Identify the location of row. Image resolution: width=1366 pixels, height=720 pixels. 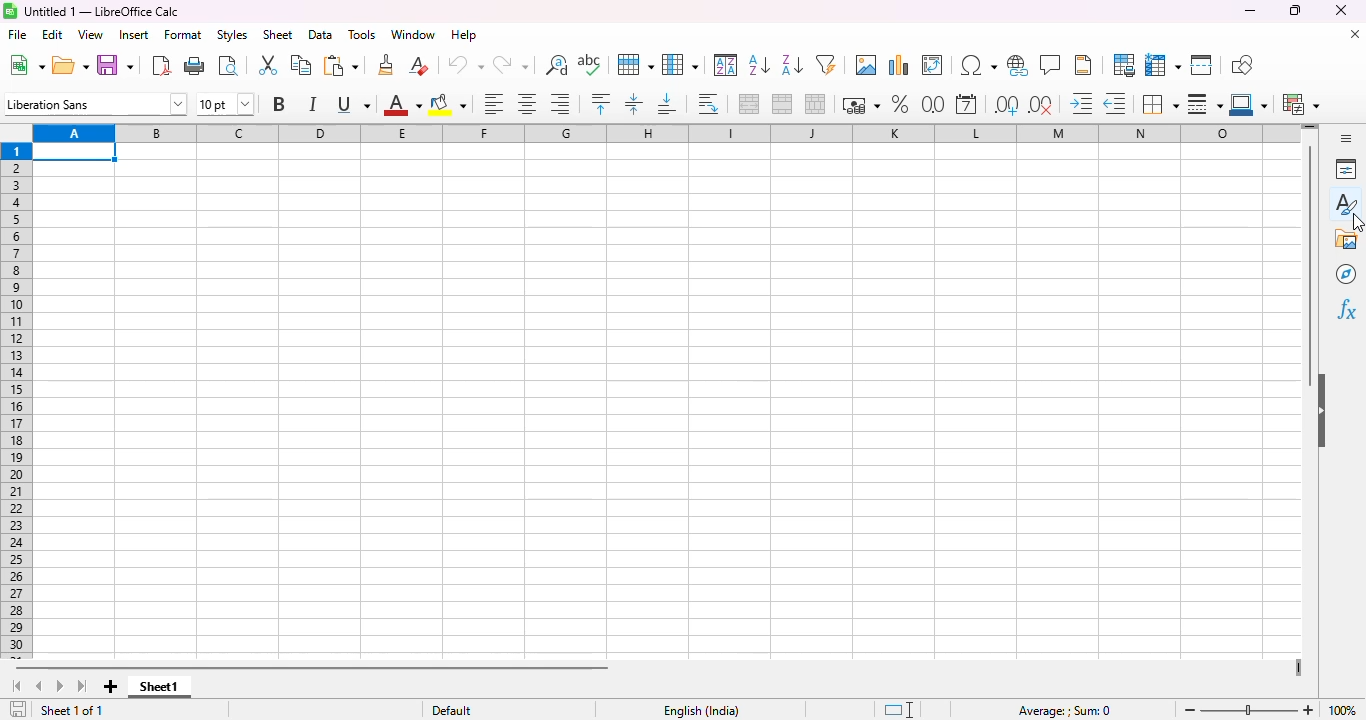
(635, 64).